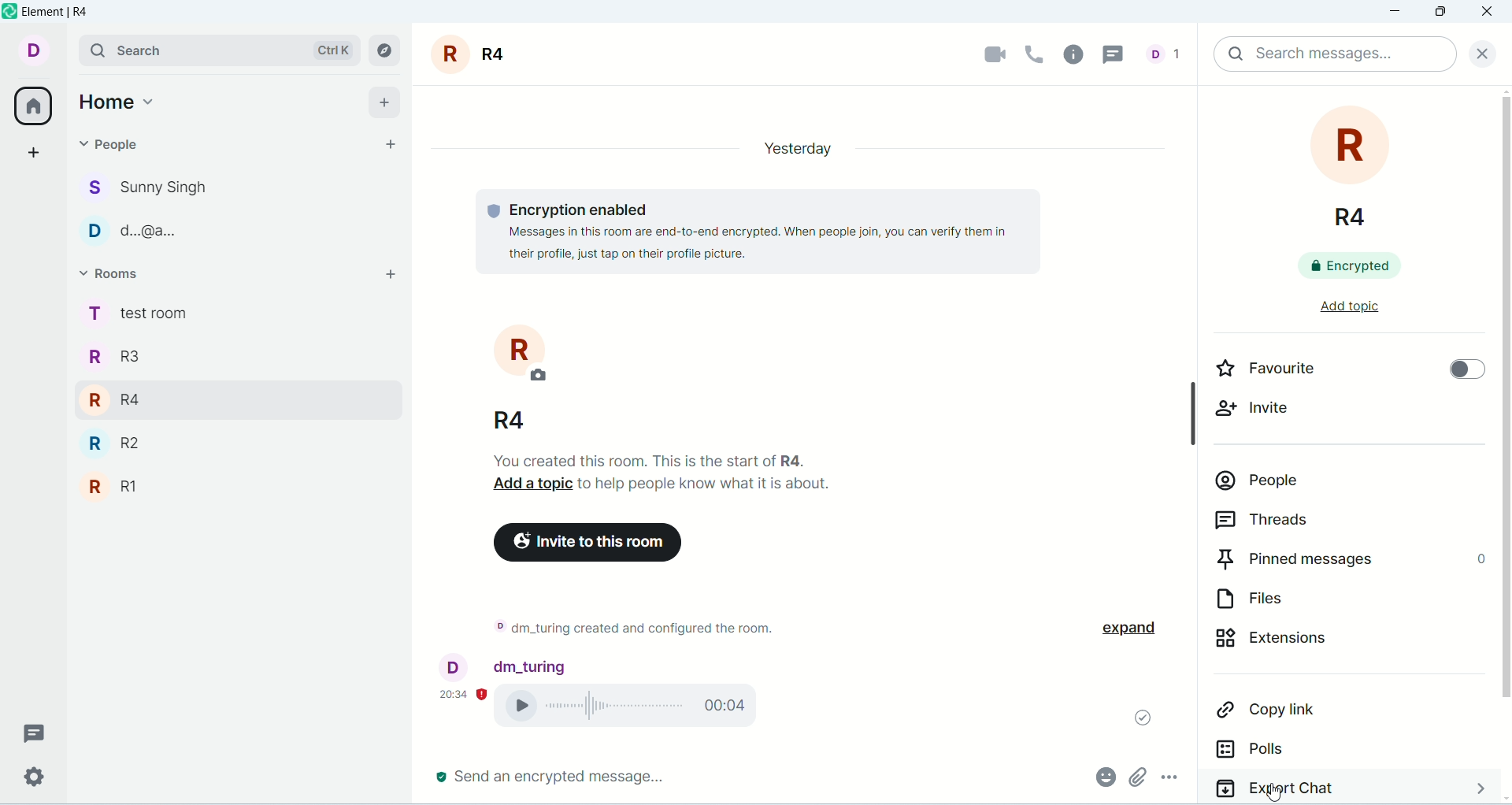  What do you see at coordinates (218, 49) in the screenshot?
I see `search` at bounding box center [218, 49].